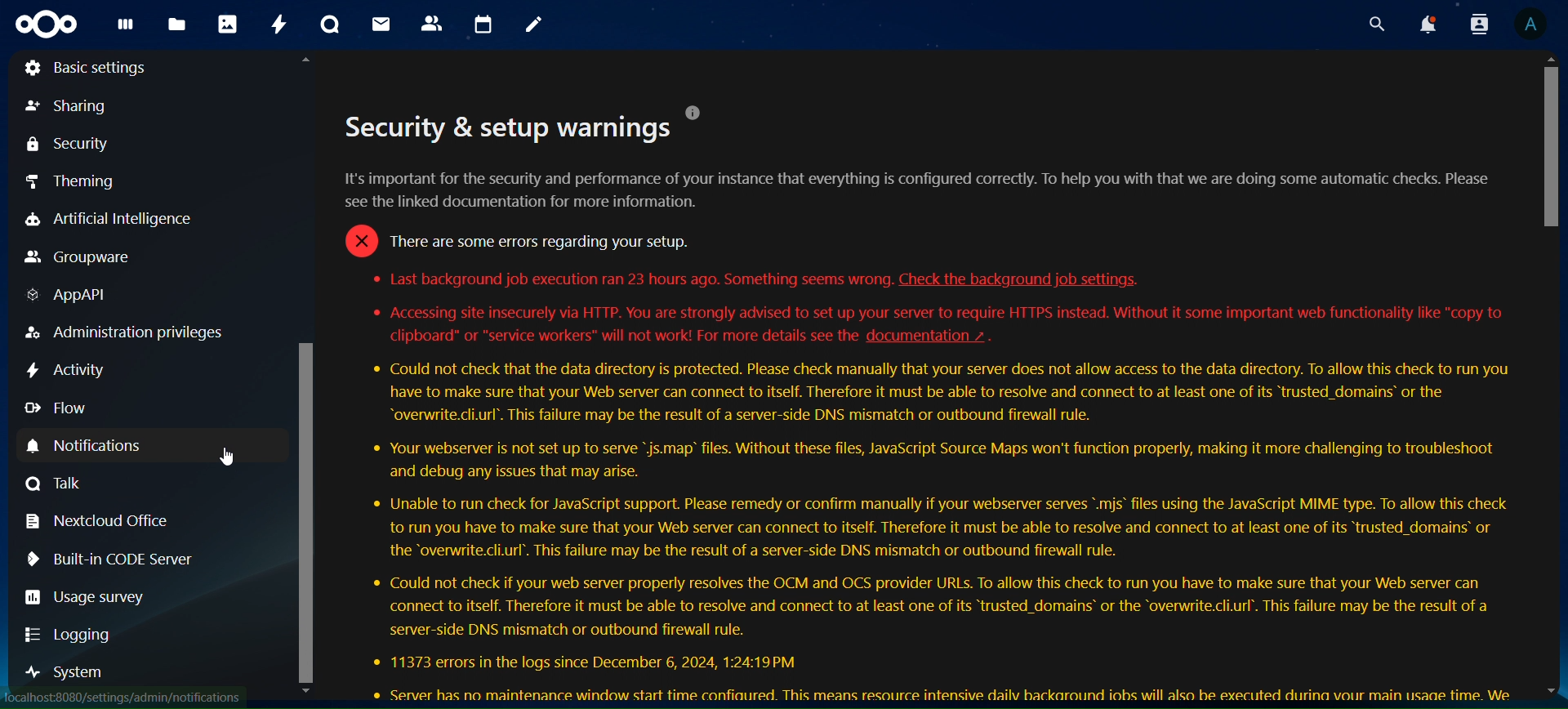  I want to click on administration privileges, so click(123, 330).